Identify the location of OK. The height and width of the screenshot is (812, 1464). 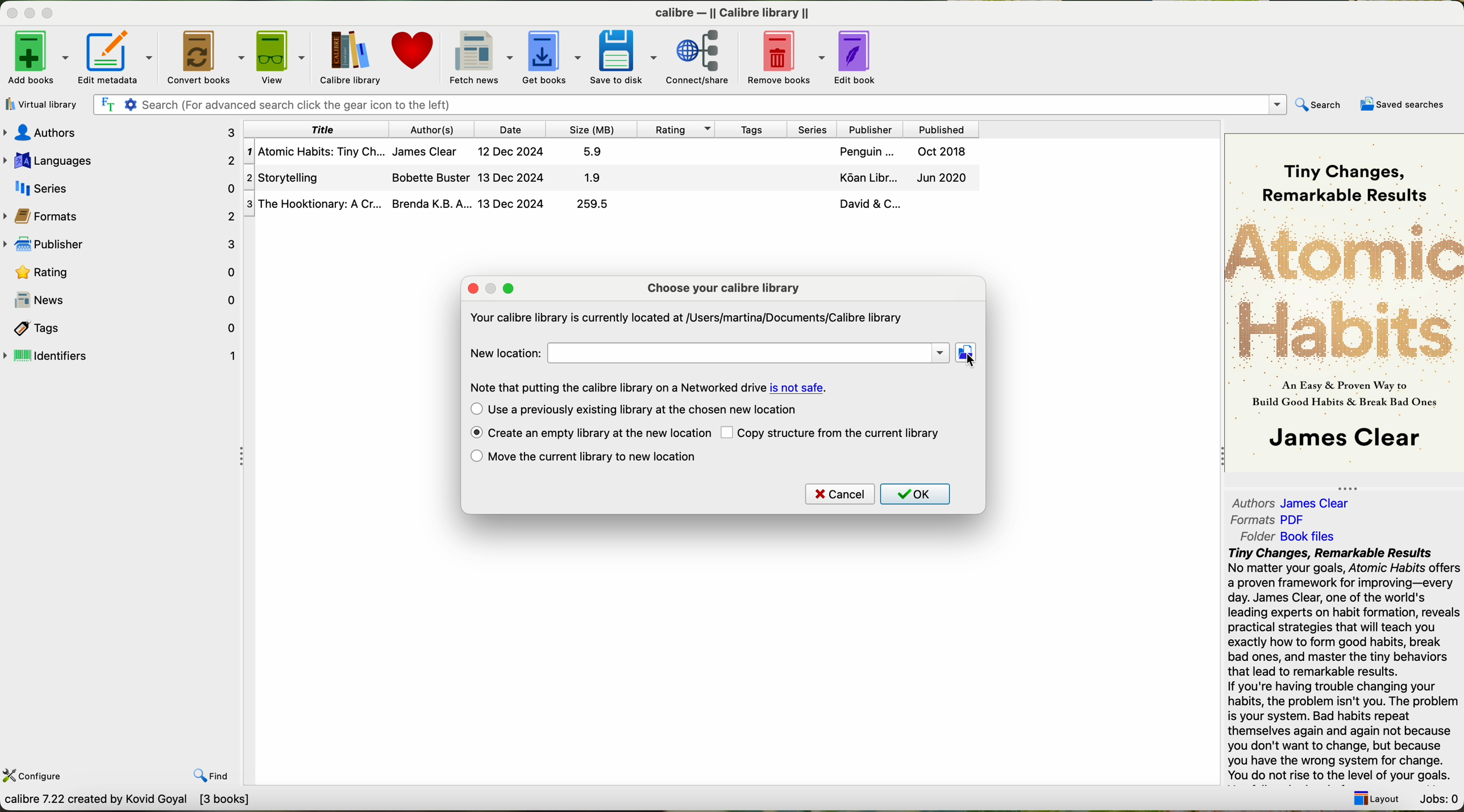
(917, 495).